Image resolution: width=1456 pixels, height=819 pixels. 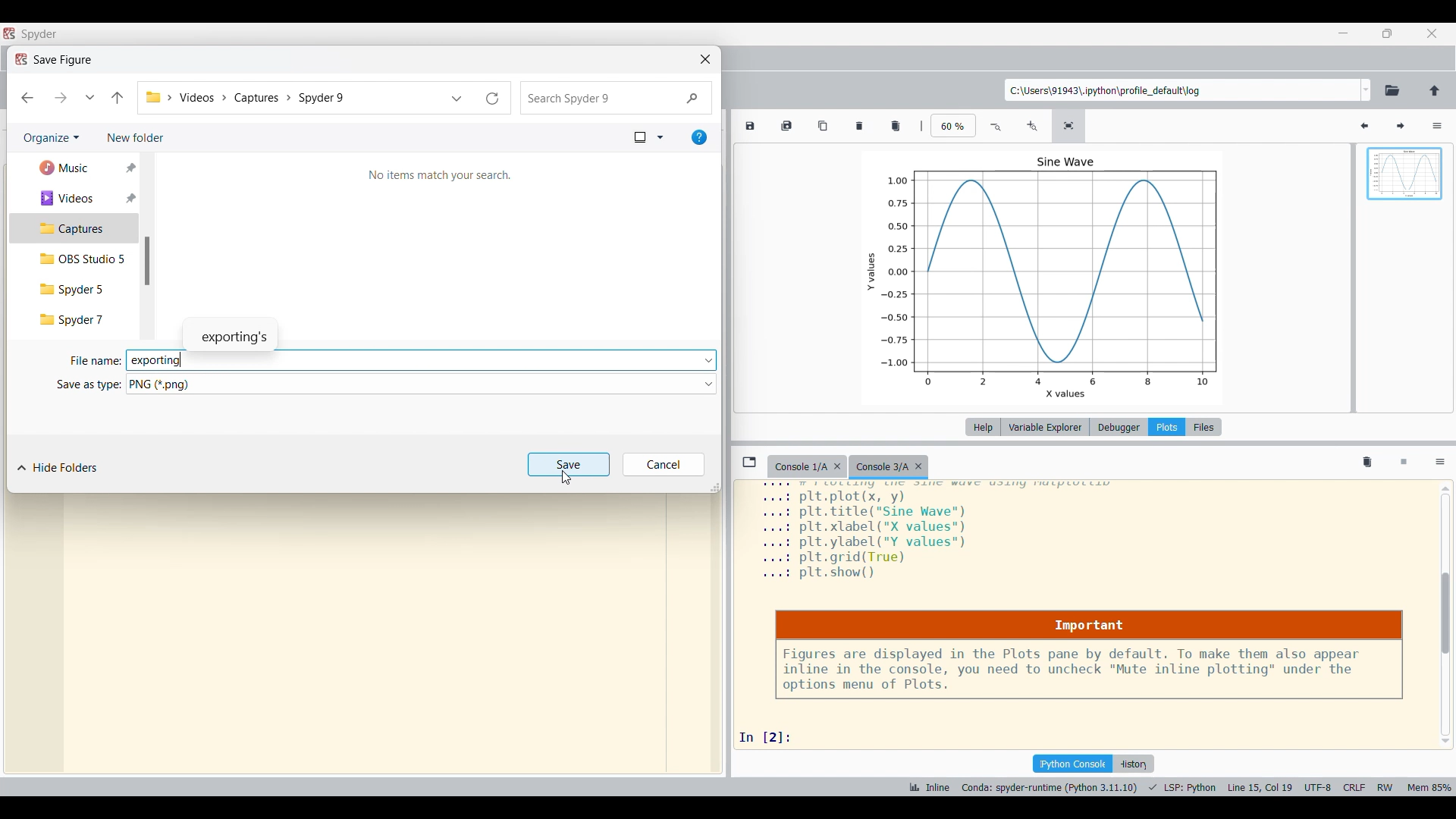 I want to click on Recent locations, so click(x=89, y=99).